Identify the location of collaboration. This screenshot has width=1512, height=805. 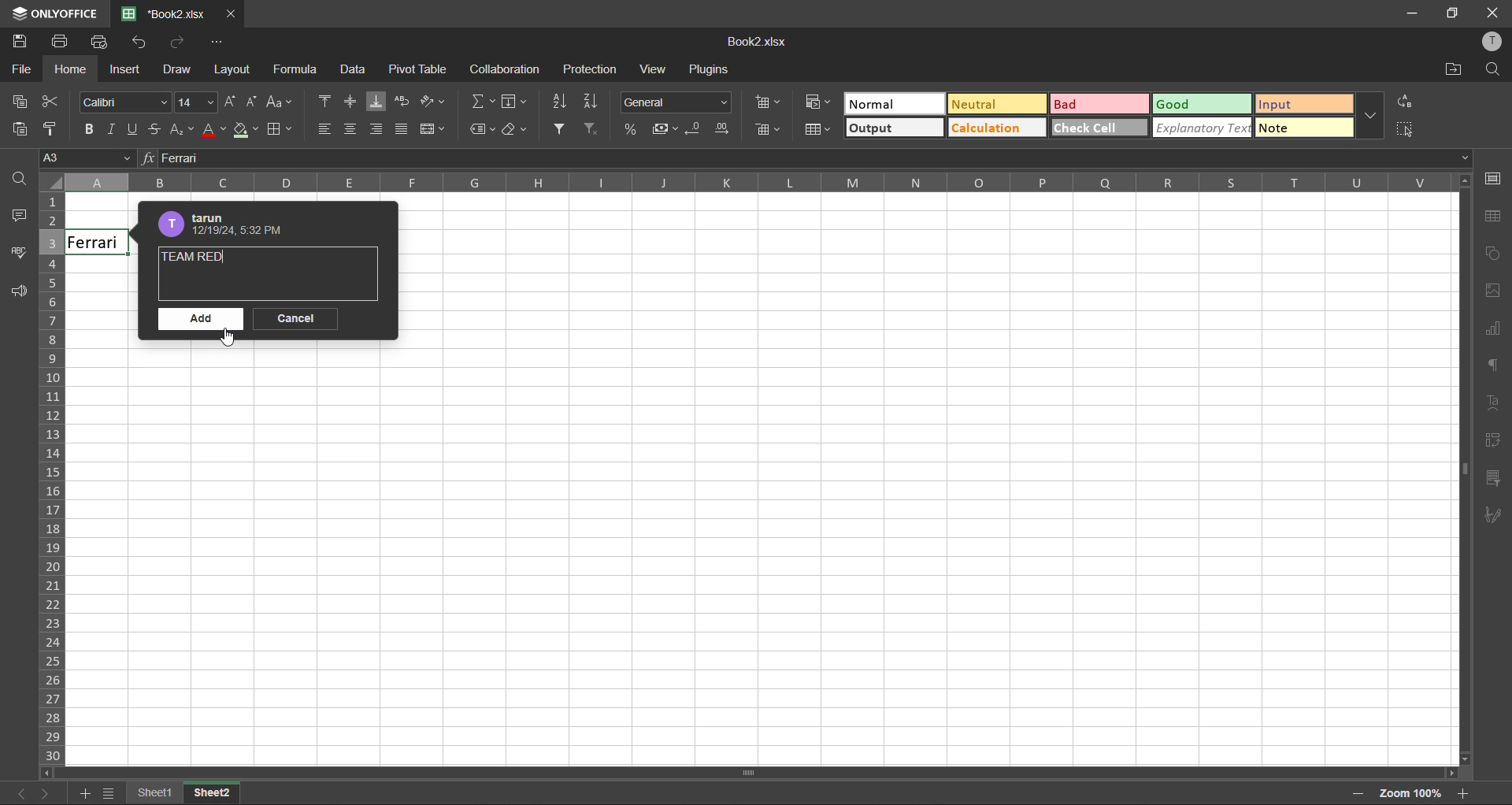
(504, 69).